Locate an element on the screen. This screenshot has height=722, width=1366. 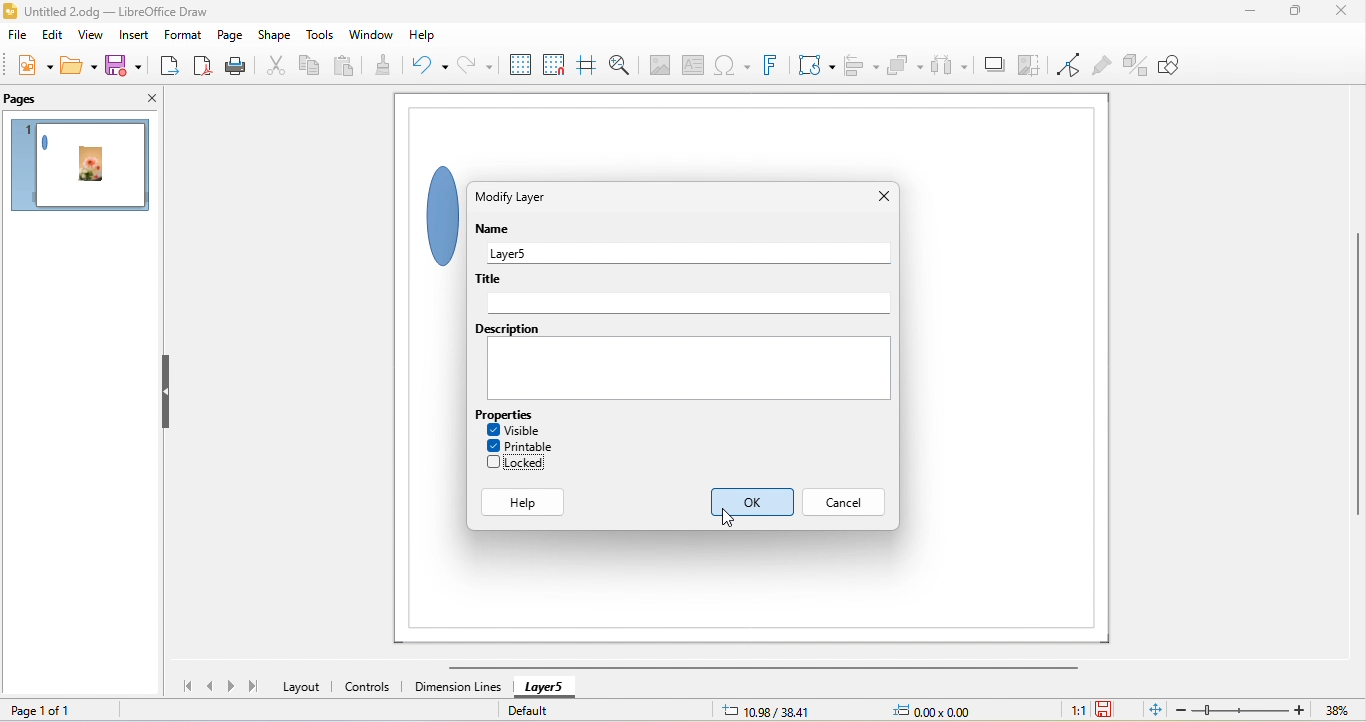
text box is located at coordinates (694, 66).